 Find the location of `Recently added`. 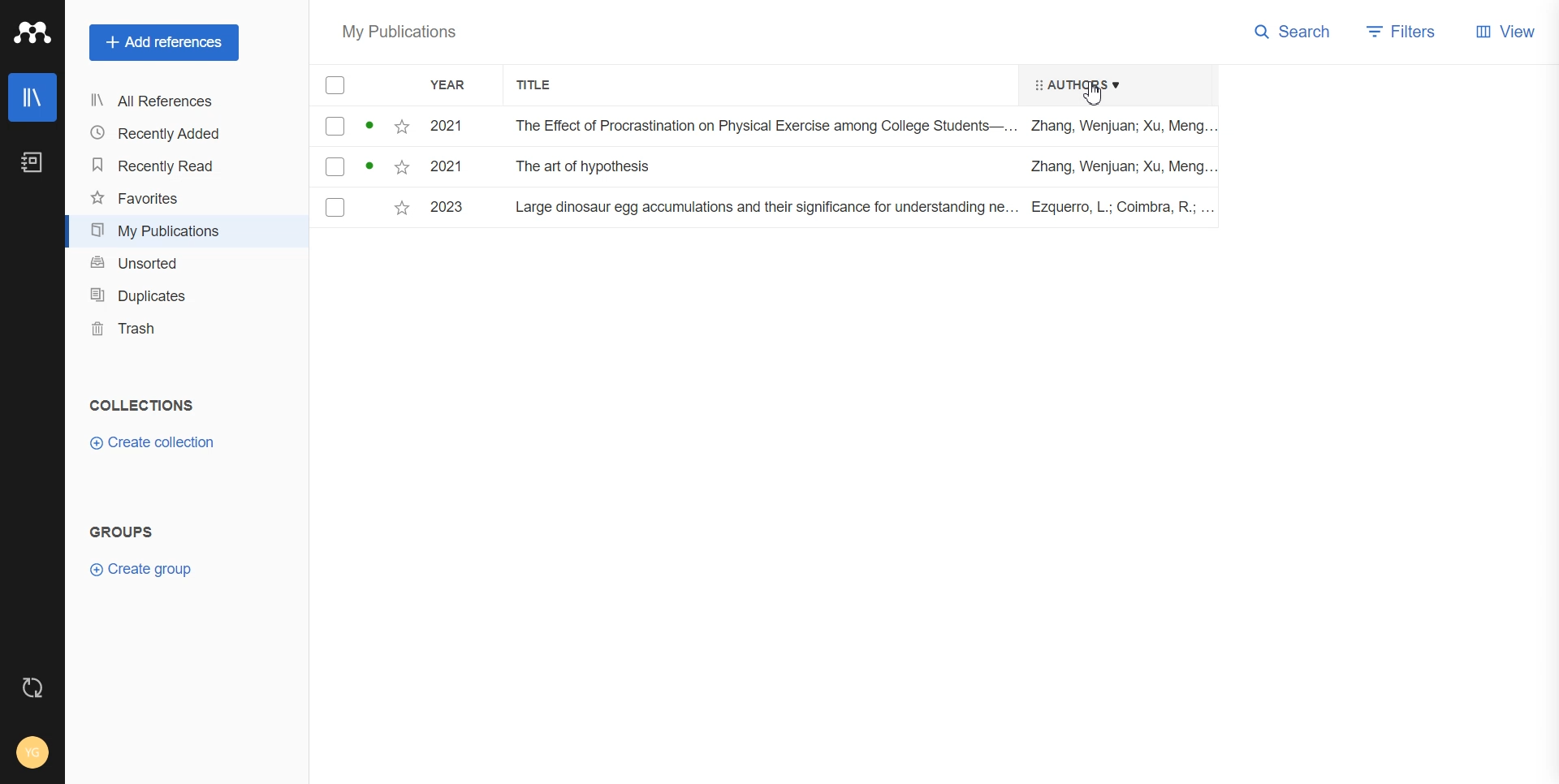

Recently added is located at coordinates (179, 134).